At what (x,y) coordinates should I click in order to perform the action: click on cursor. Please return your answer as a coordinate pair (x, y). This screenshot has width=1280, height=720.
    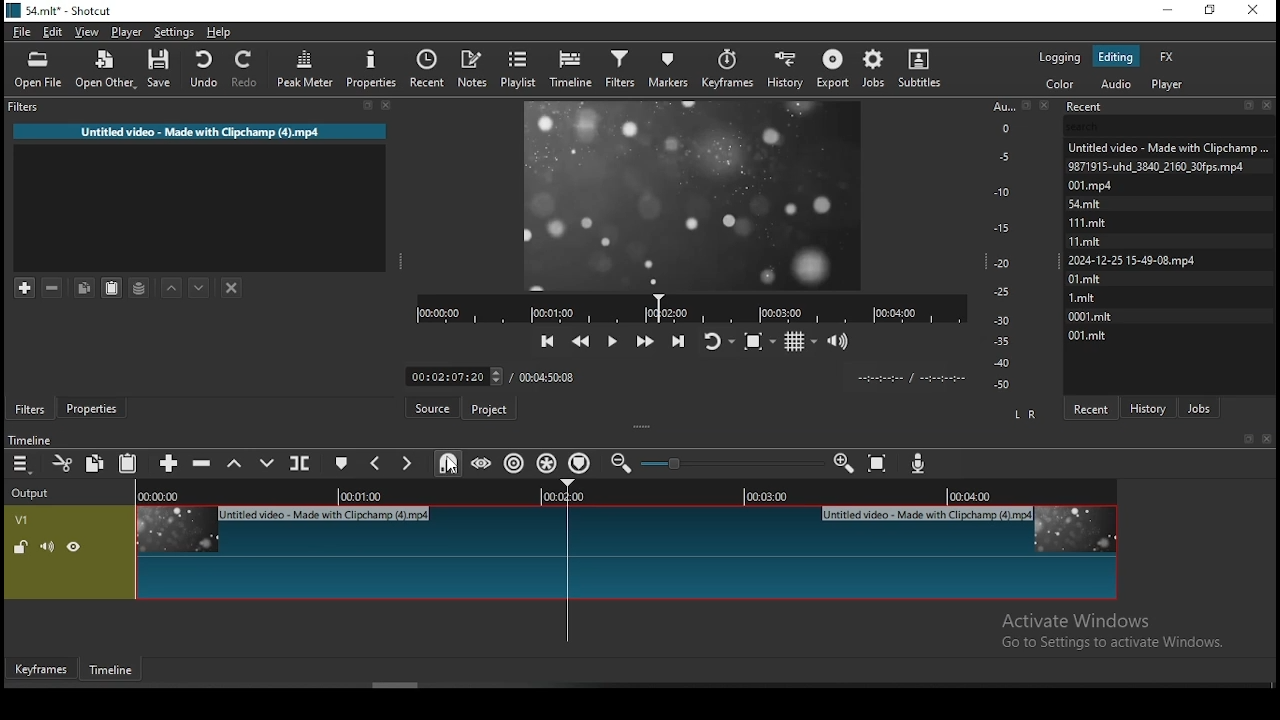
    Looking at the image, I should click on (453, 467).